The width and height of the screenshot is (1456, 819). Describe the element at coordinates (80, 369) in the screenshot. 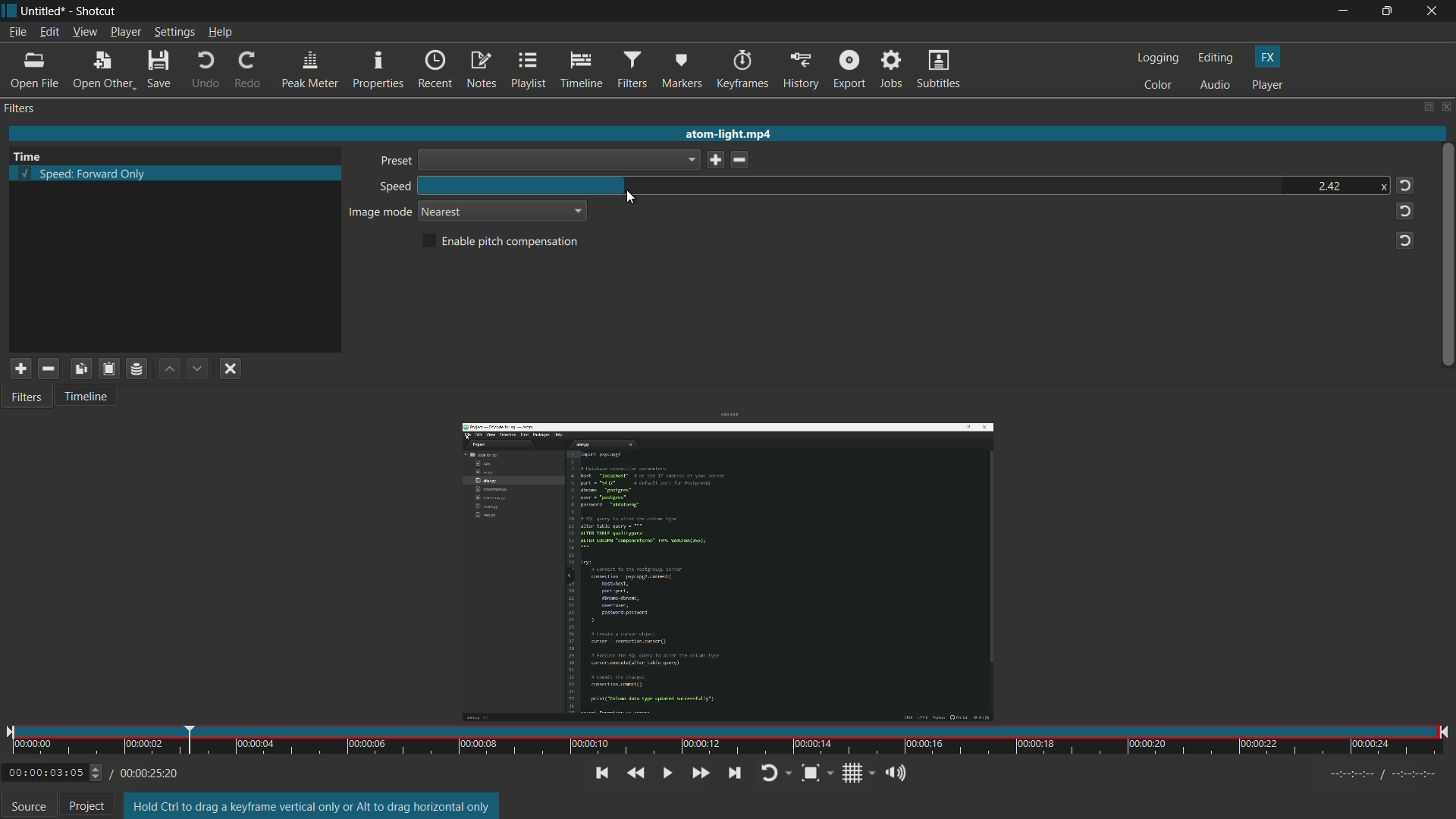

I see `copy checked filter` at that location.